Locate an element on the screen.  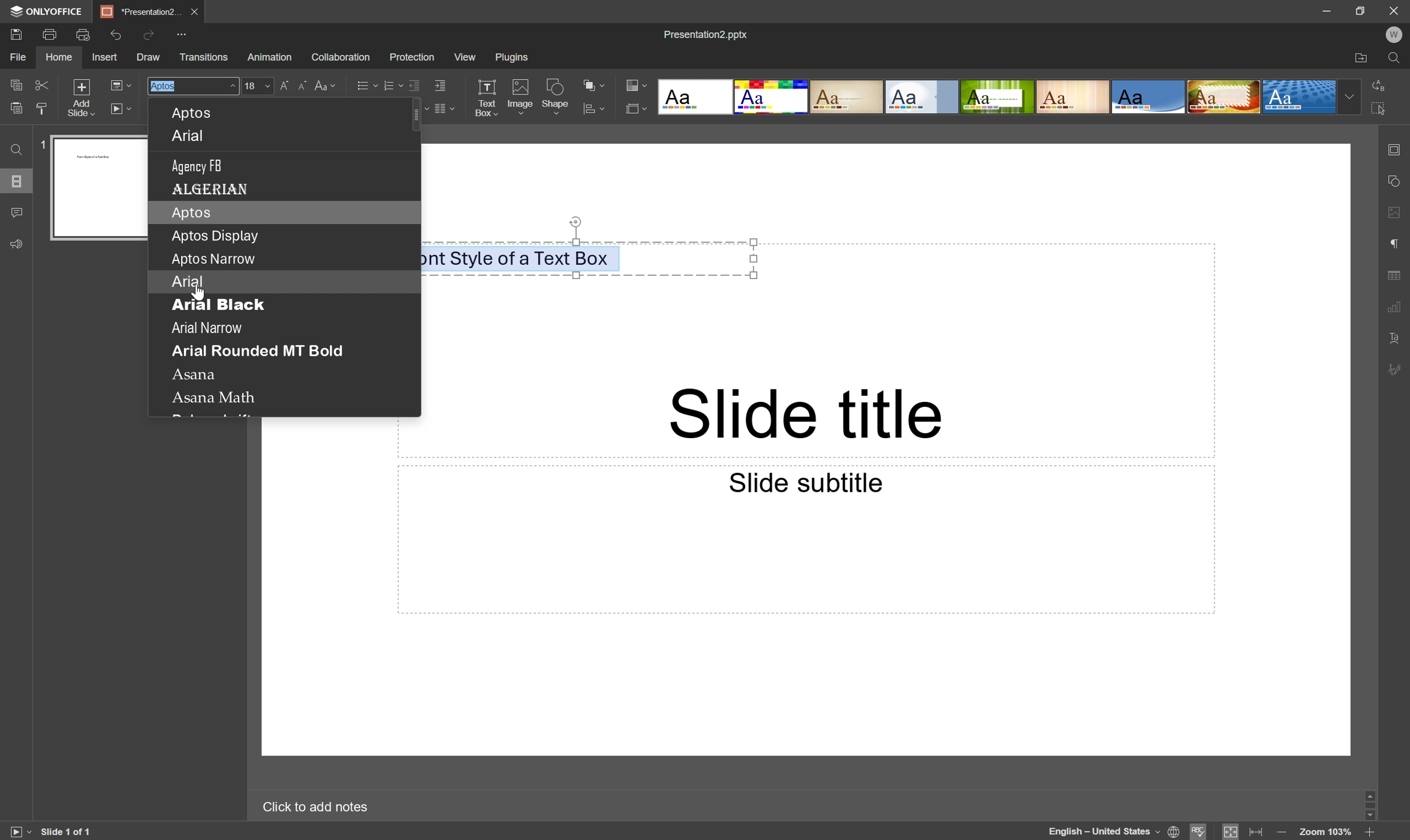
Slide subtitle is located at coordinates (804, 481).